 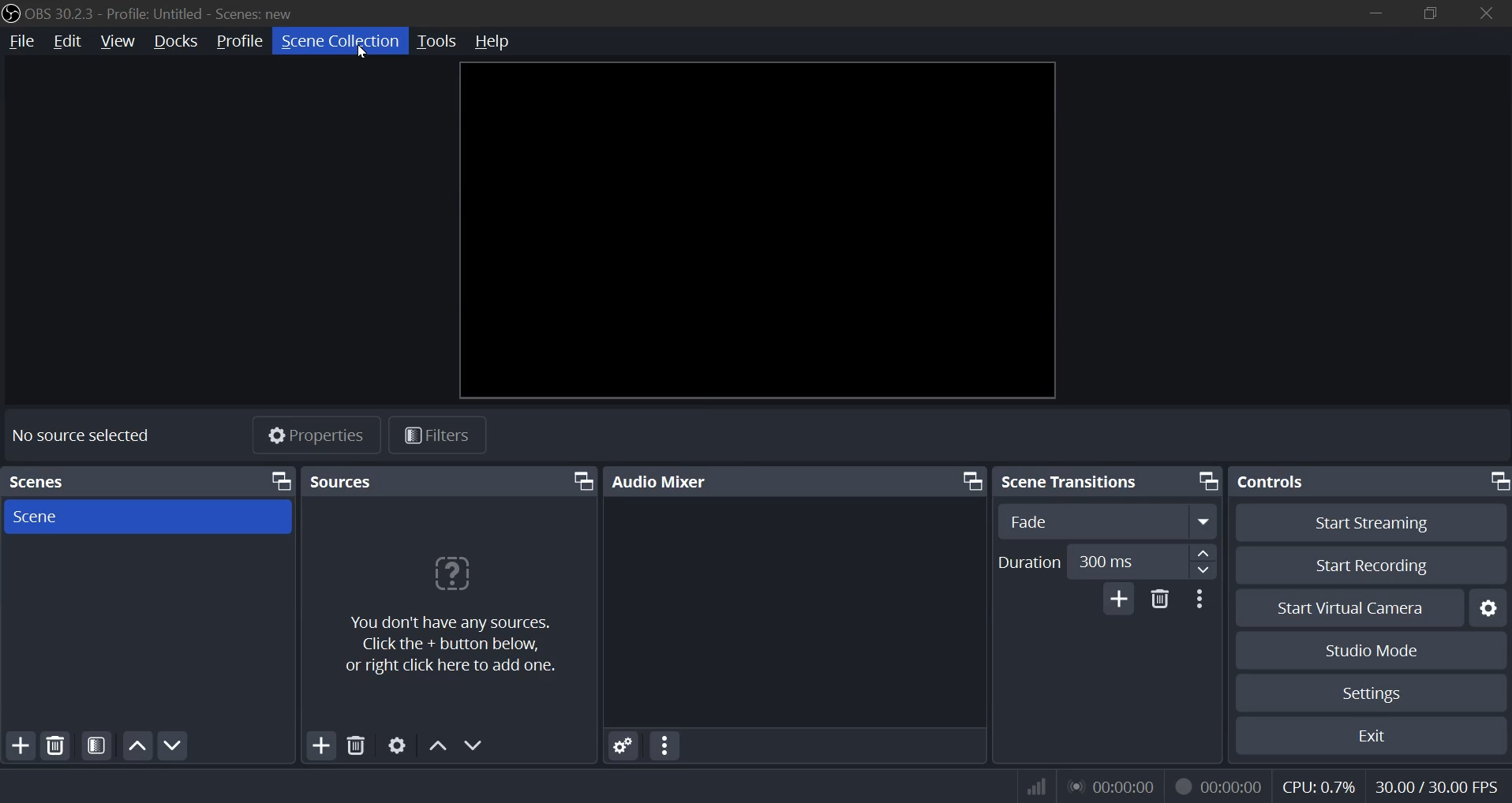 What do you see at coordinates (339, 41) in the screenshot?
I see `scene collection` at bounding box center [339, 41].